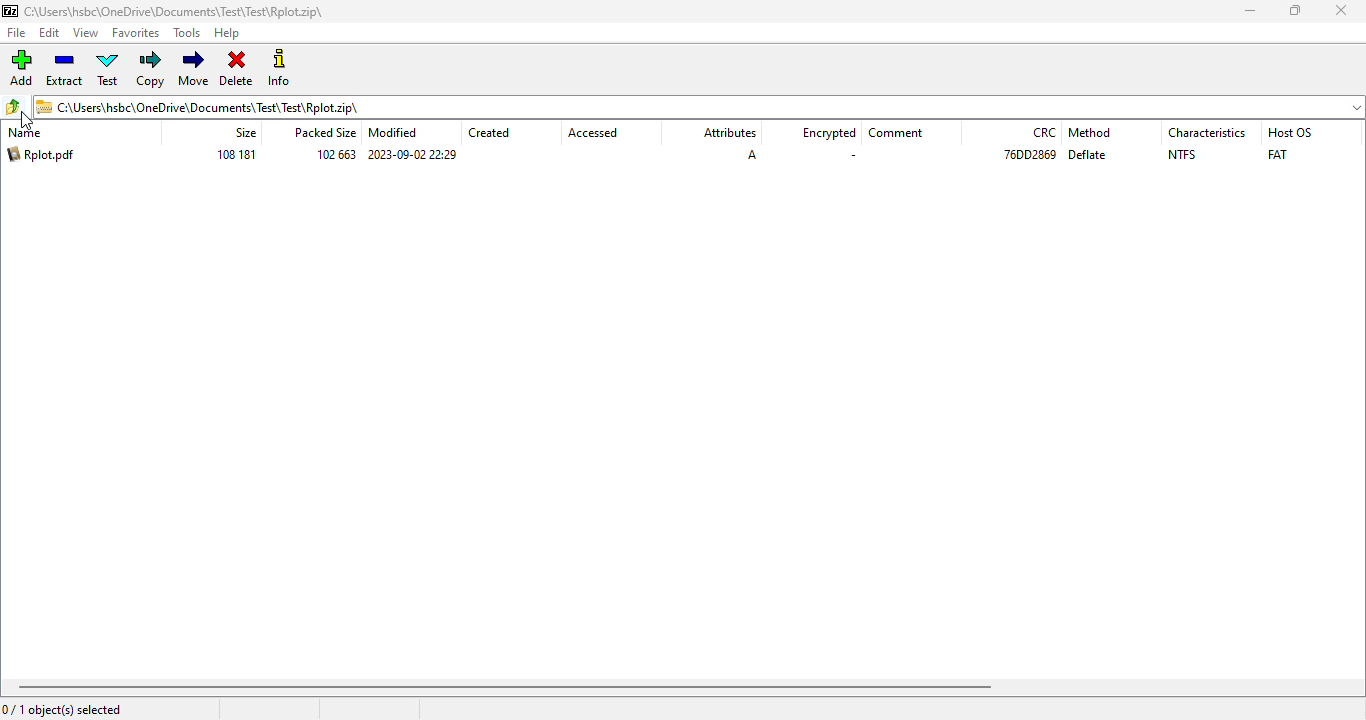 Image resolution: width=1366 pixels, height=720 pixels. I want to click on favorites, so click(135, 33).